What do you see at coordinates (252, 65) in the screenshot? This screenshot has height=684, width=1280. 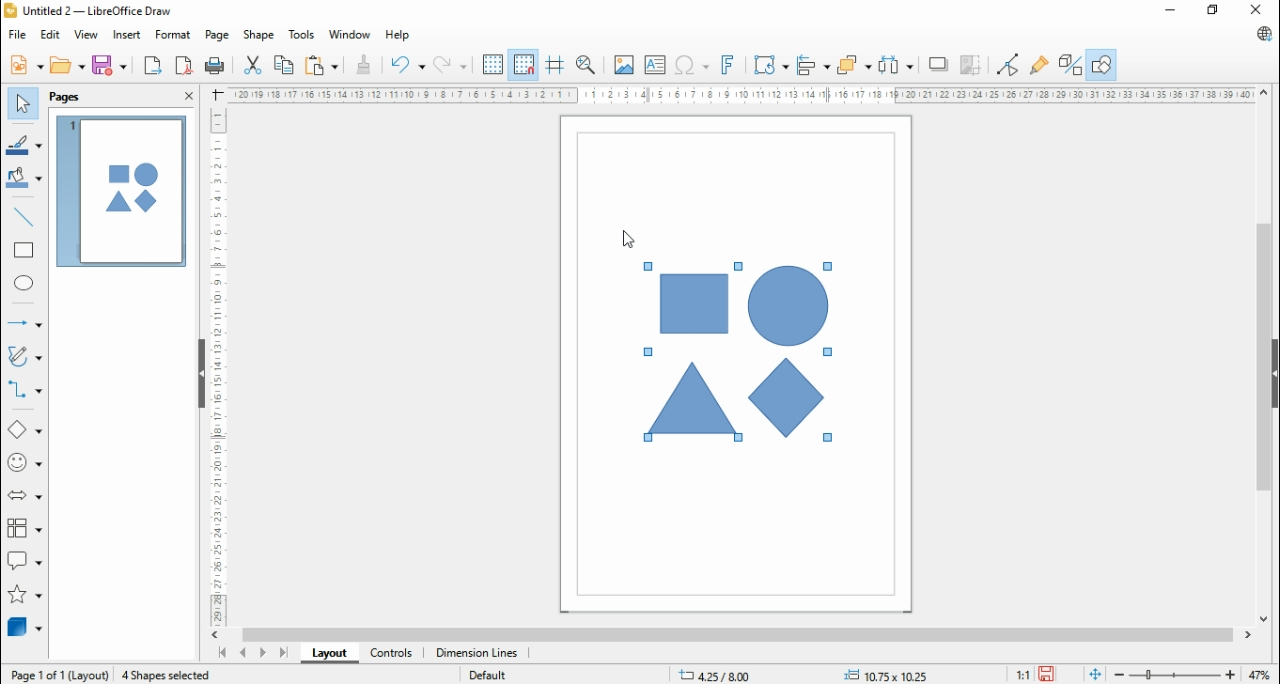 I see `cut` at bounding box center [252, 65].